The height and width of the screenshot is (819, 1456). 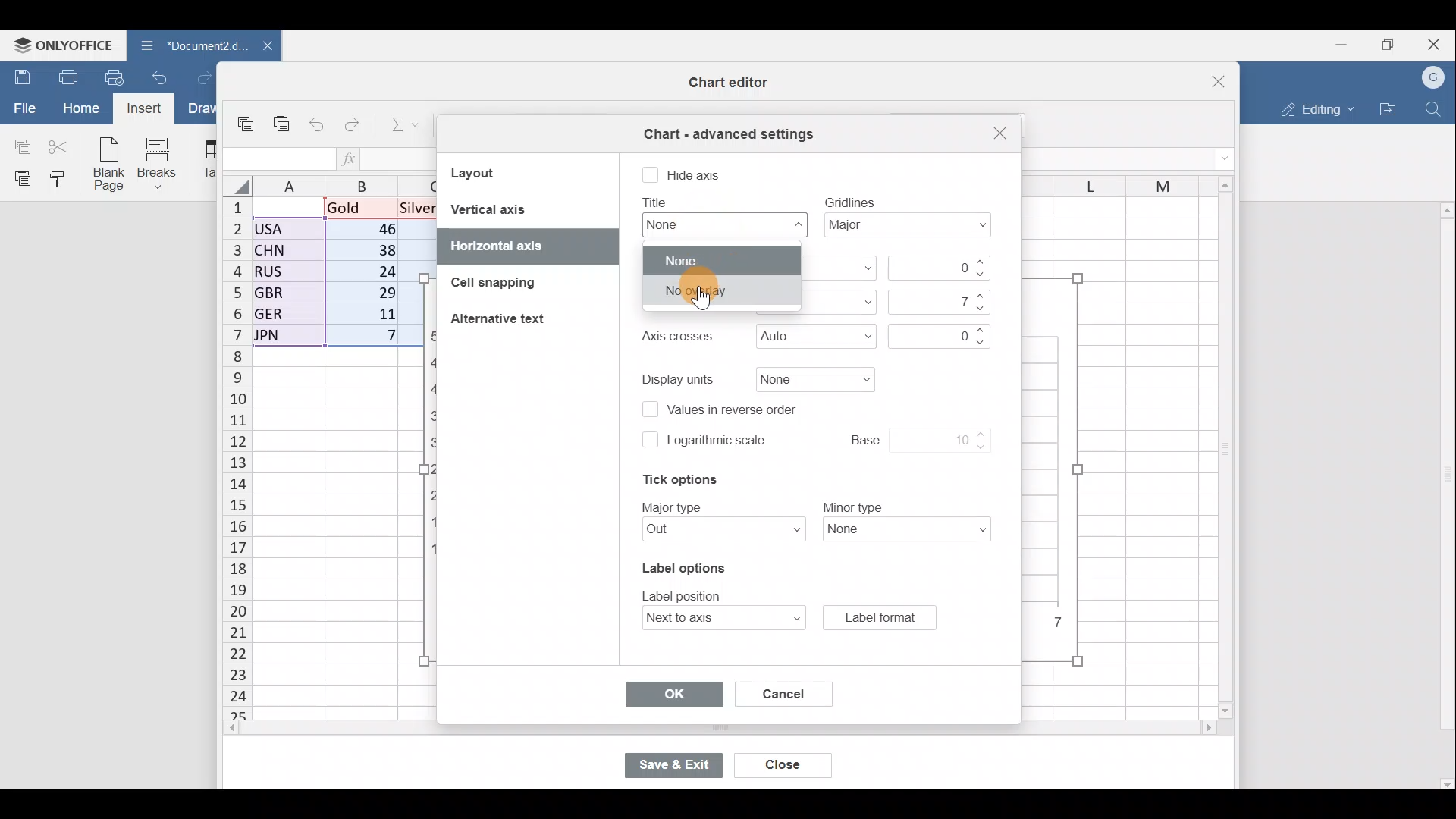 I want to click on Major type, so click(x=715, y=531).